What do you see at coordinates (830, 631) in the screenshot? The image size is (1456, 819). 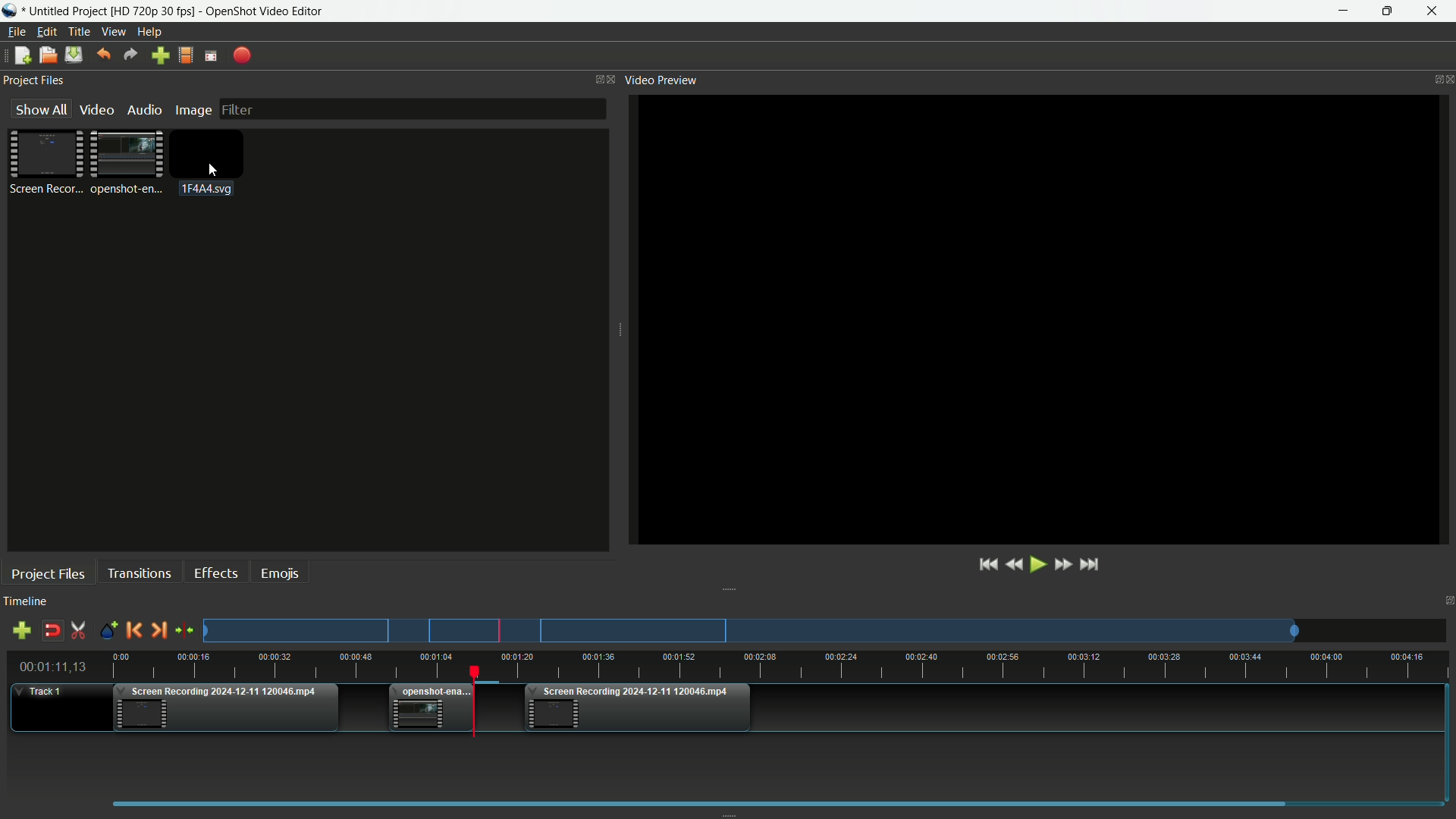 I see `Preview track one` at bounding box center [830, 631].